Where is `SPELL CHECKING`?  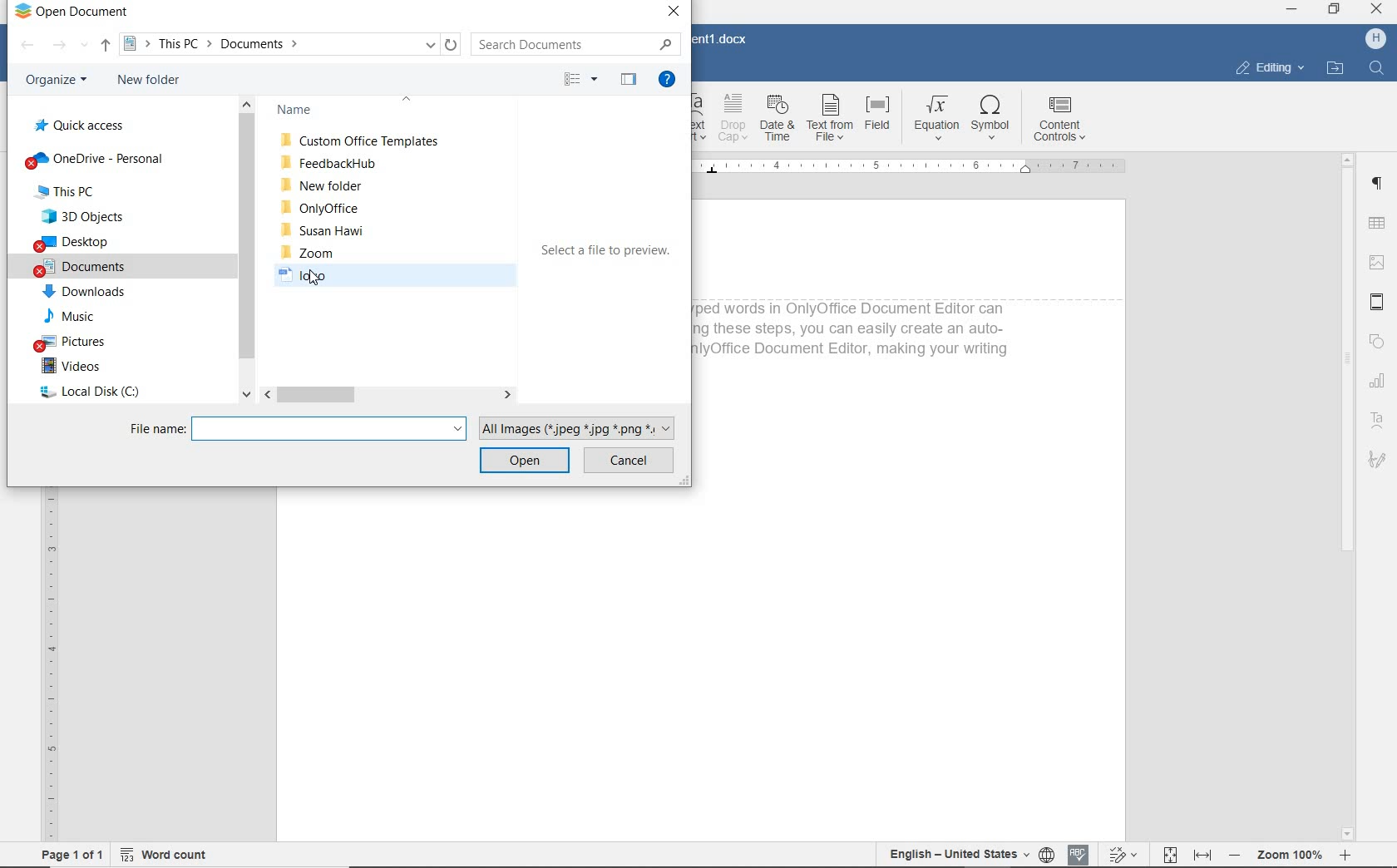
SPELL CHECKING is located at coordinates (1079, 853).